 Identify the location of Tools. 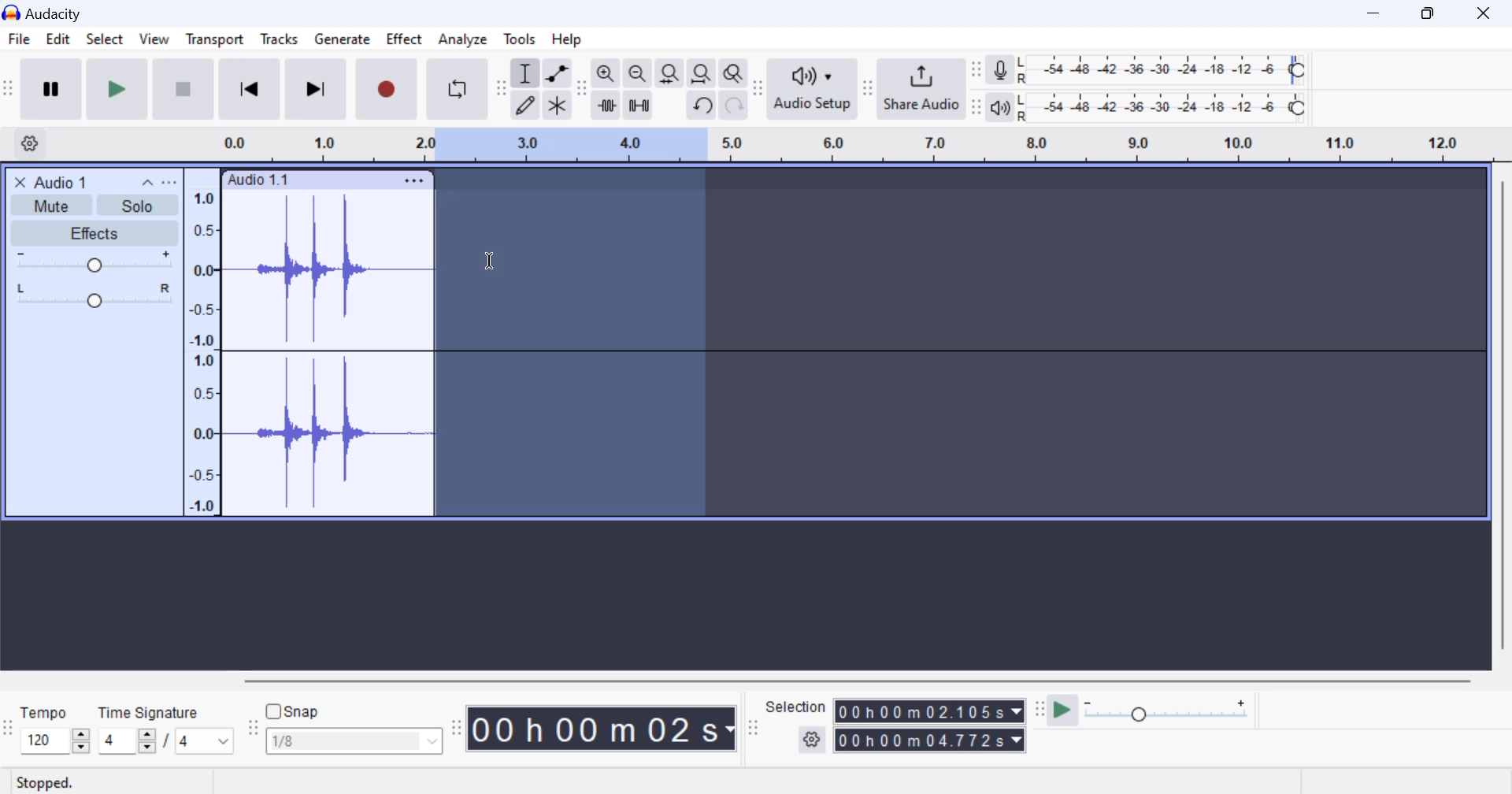
(521, 38).